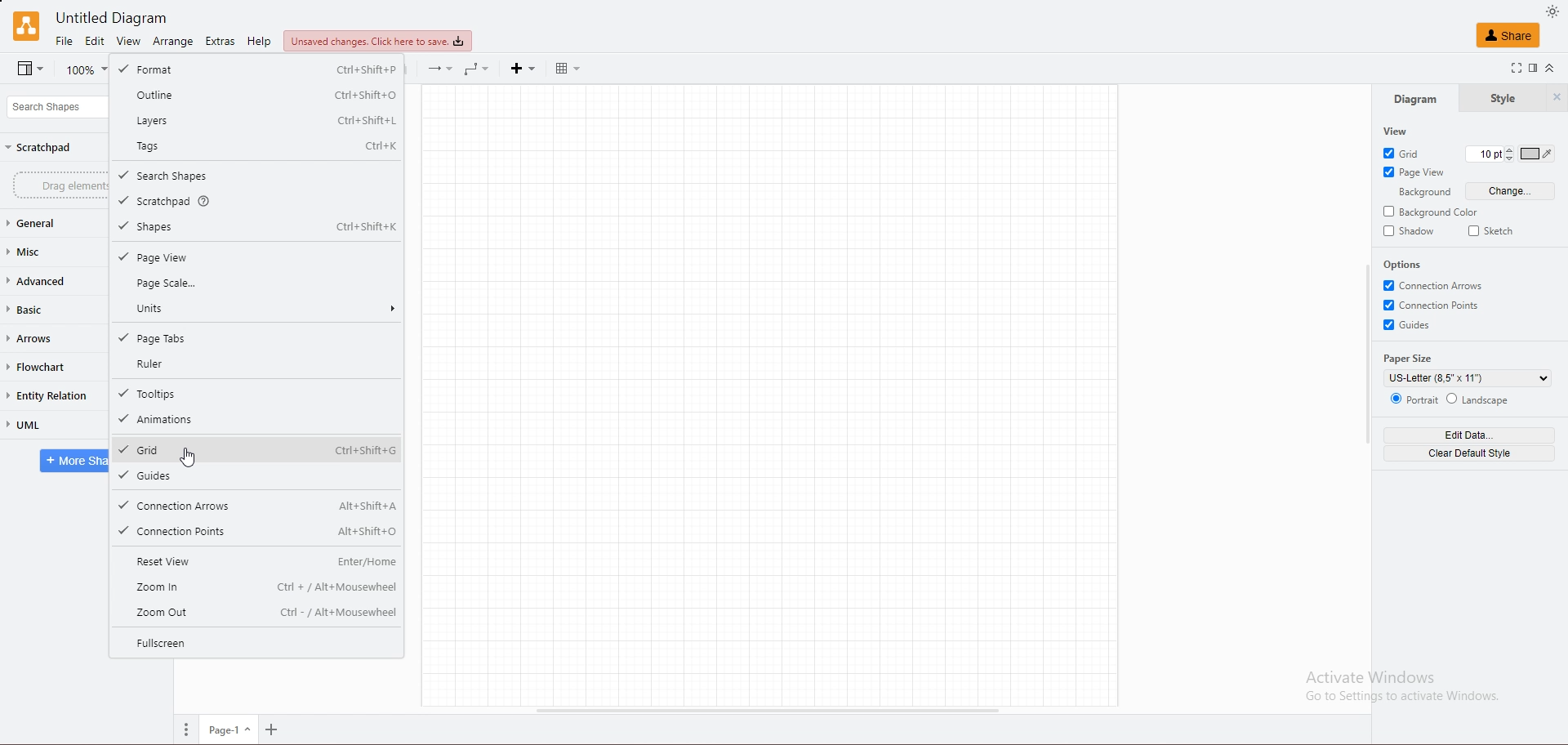 This screenshot has height=745, width=1568. Describe the element at coordinates (1469, 378) in the screenshot. I see `paper size selection` at that location.